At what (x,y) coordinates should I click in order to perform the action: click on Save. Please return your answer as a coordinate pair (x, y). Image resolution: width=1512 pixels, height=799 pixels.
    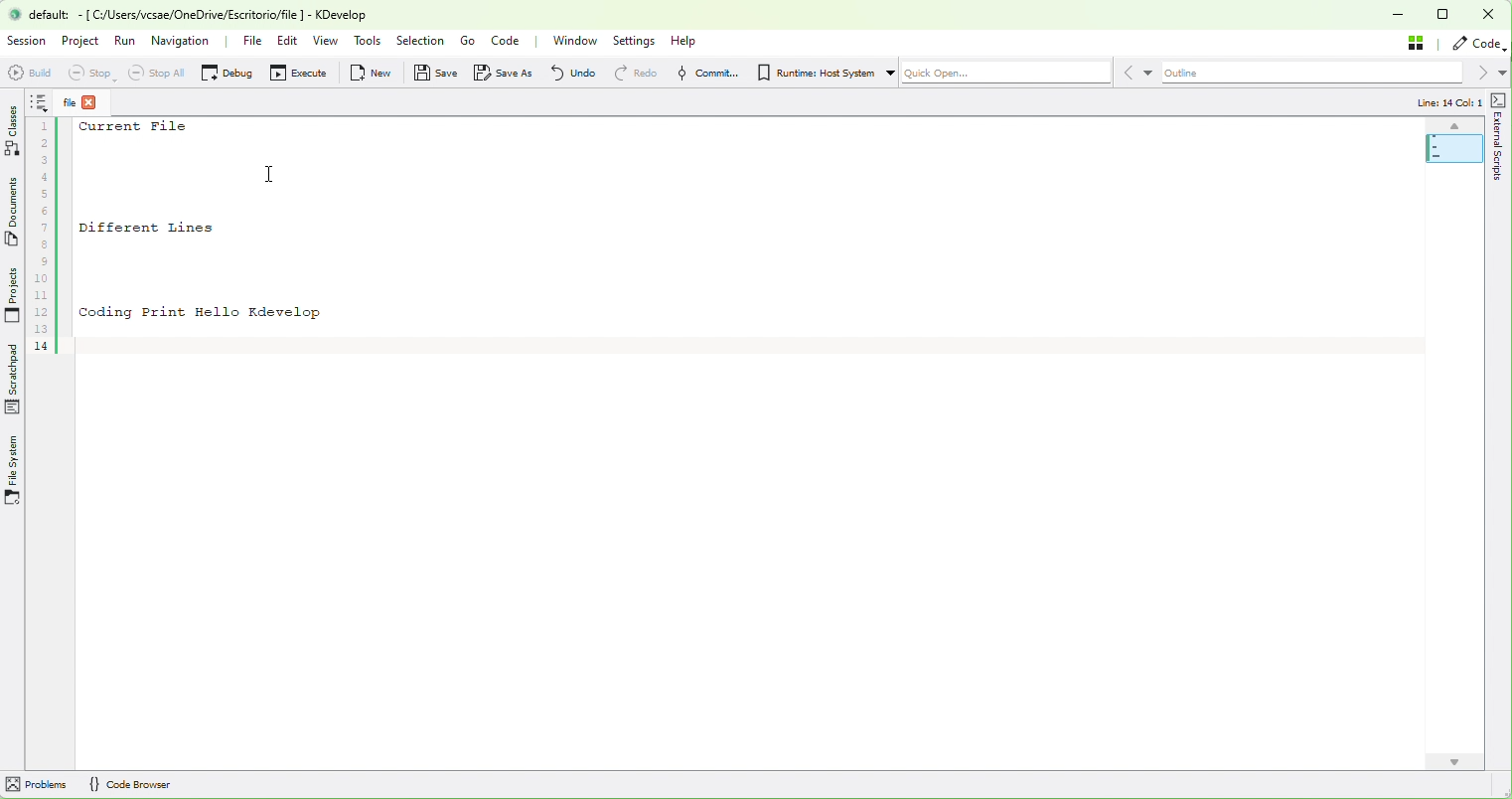
    Looking at the image, I should click on (432, 74).